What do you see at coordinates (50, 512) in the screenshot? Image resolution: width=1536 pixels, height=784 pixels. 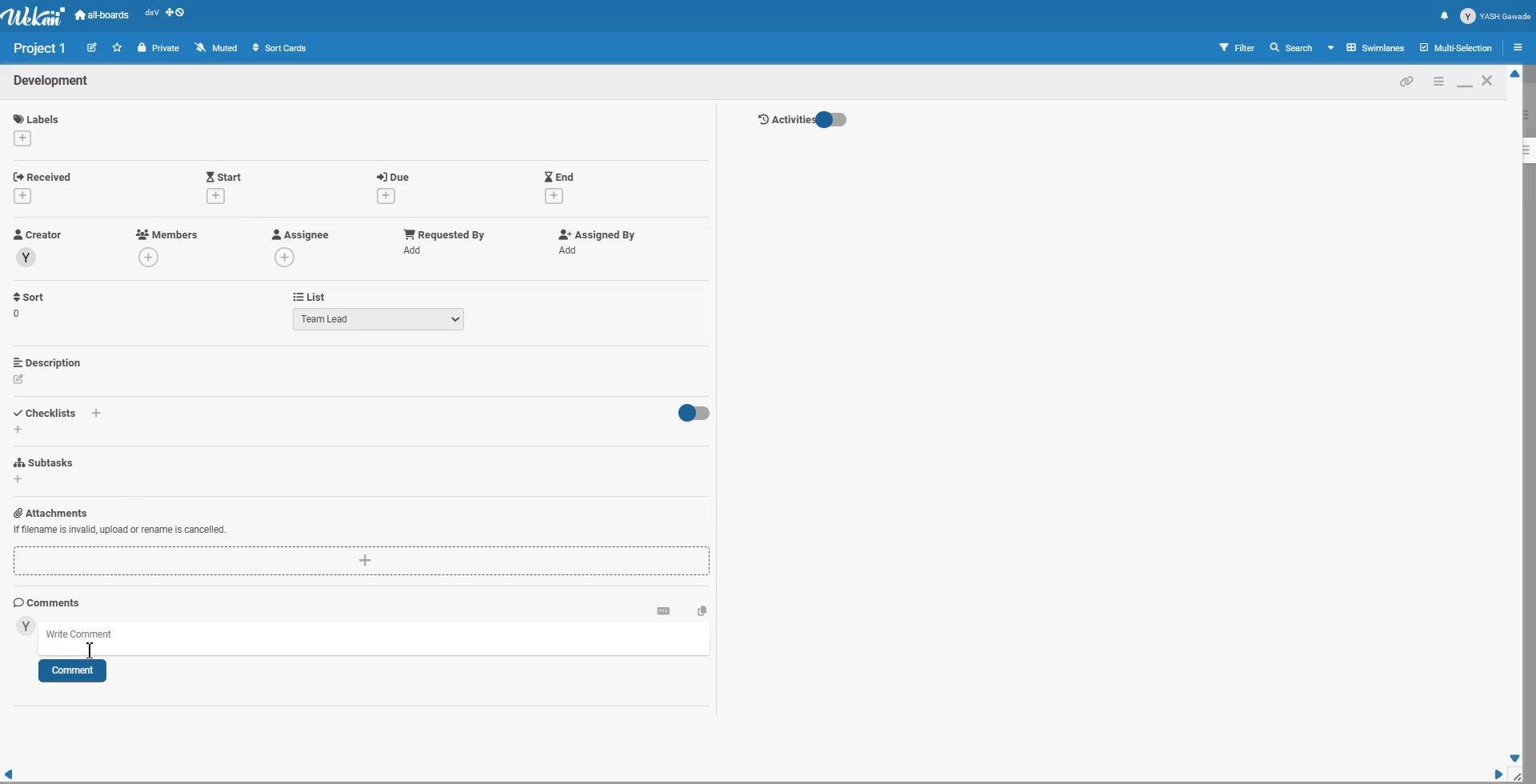 I see `Add Attachments` at bounding box center [50, 512].